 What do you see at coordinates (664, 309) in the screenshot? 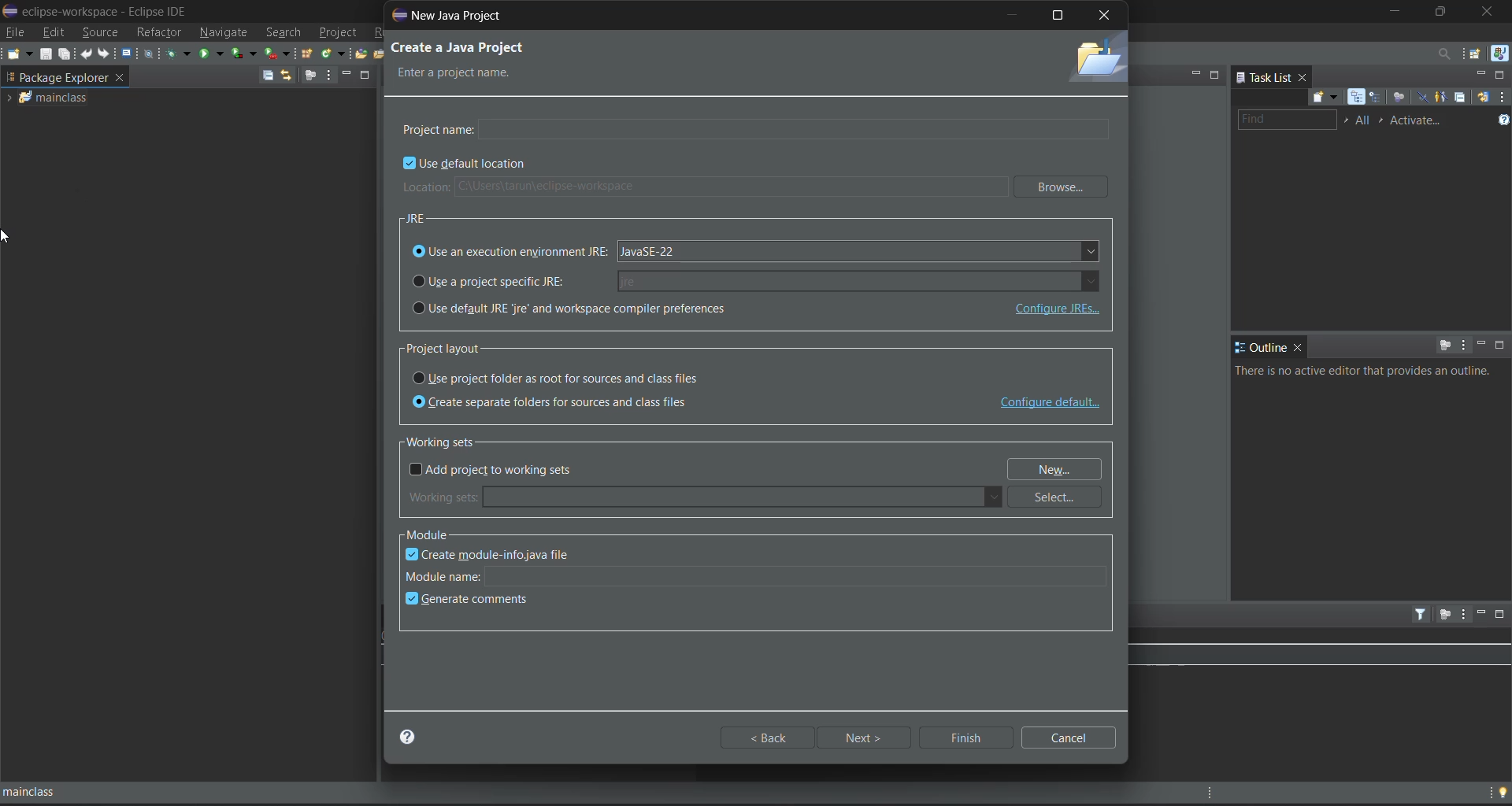
I see `use default jre and workspace compiler preferences` at bounding box center [664, 309].